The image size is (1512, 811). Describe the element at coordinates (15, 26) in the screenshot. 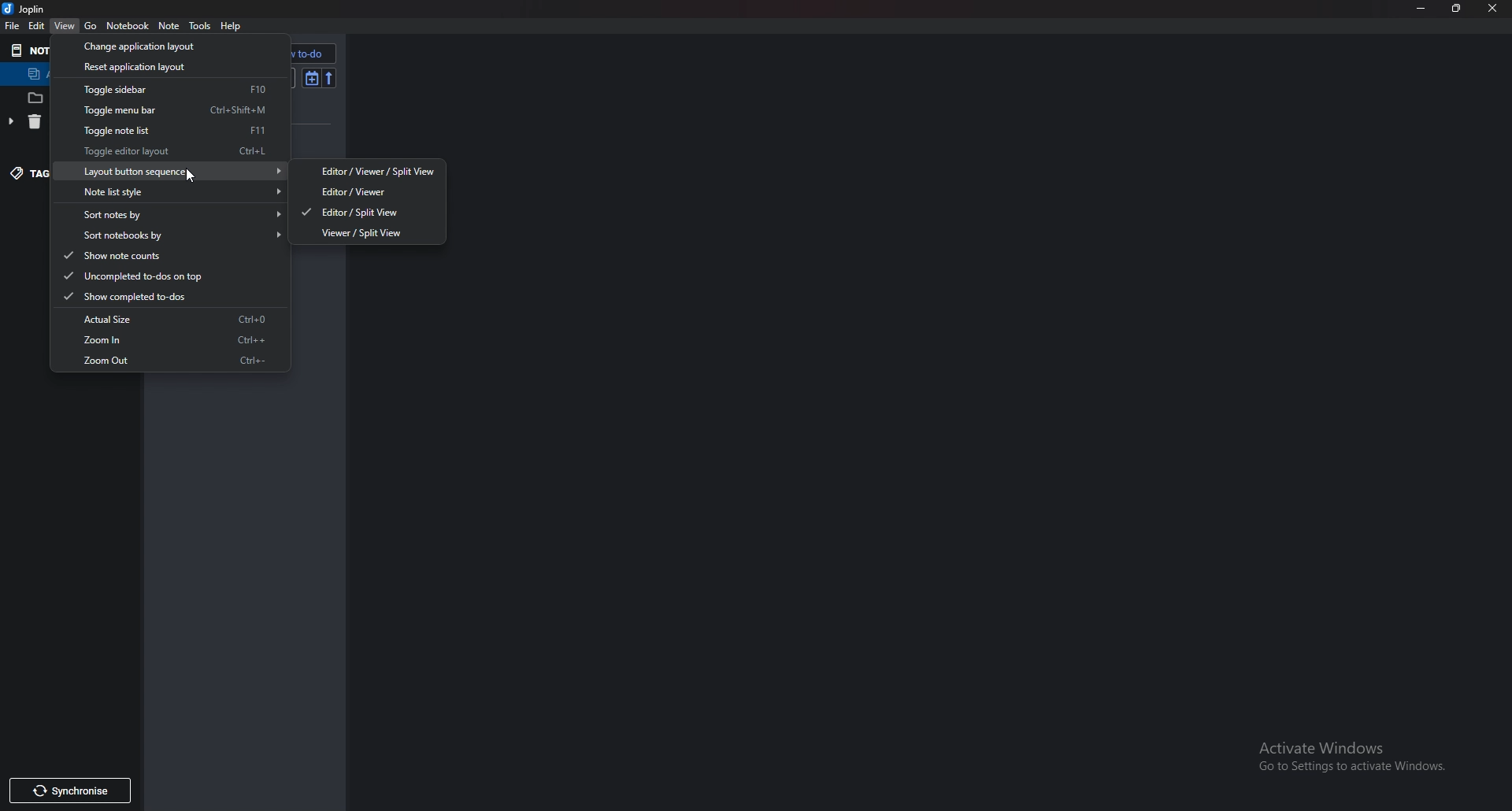

I see `file` at that location.